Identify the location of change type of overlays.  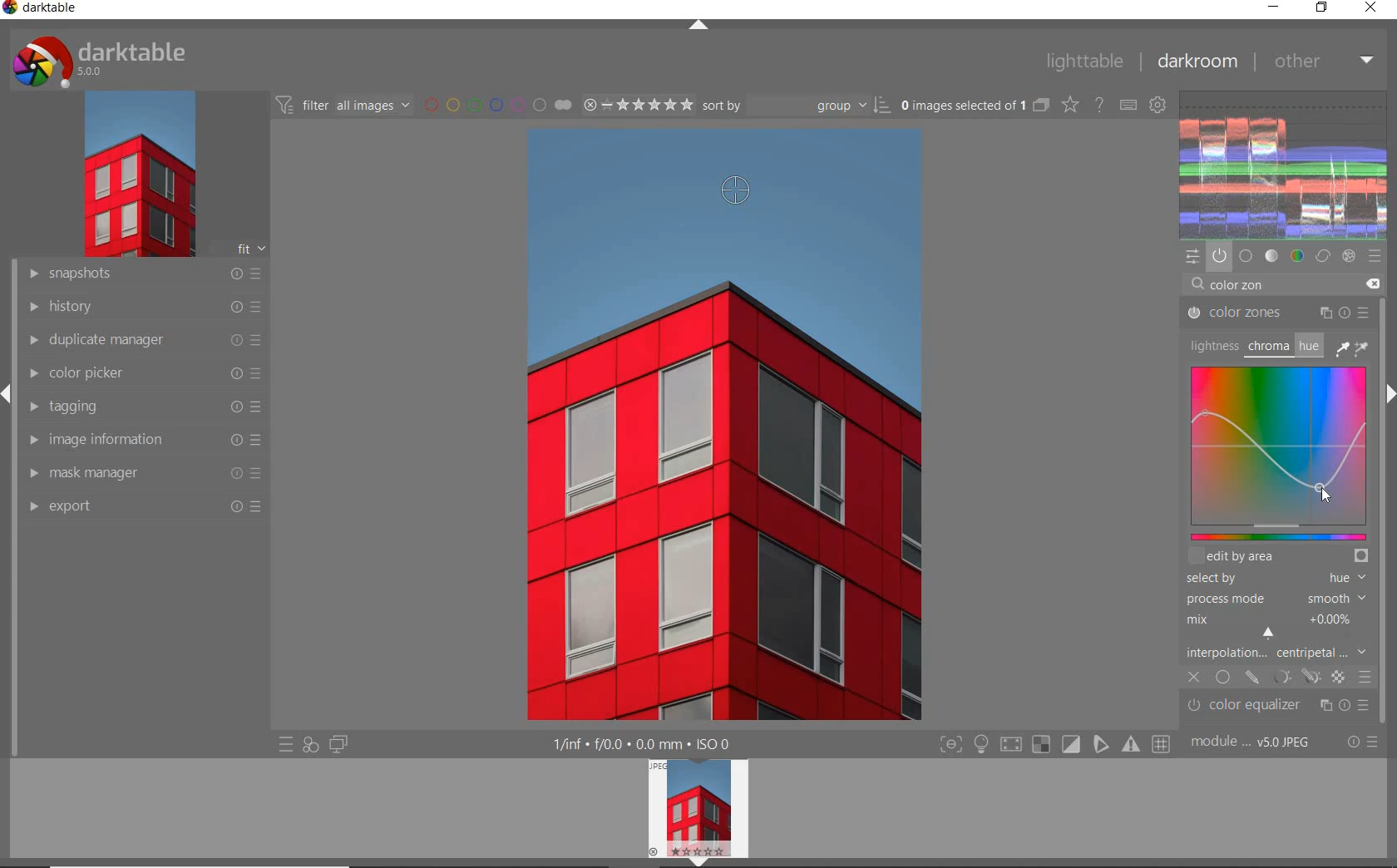
(1072, 106).